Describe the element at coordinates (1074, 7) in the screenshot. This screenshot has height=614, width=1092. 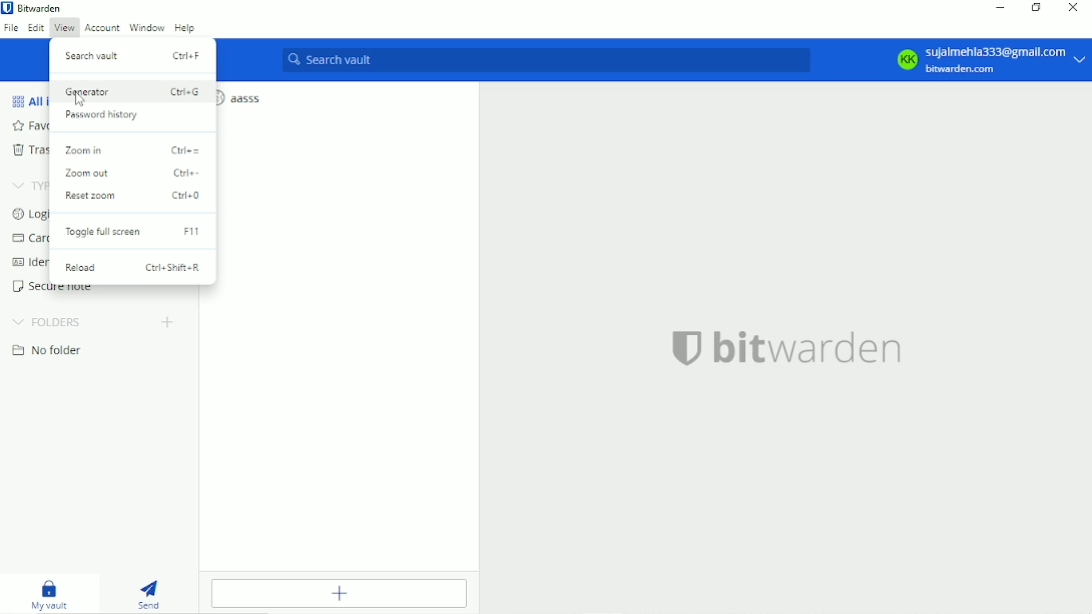
I see `Close` at that location.